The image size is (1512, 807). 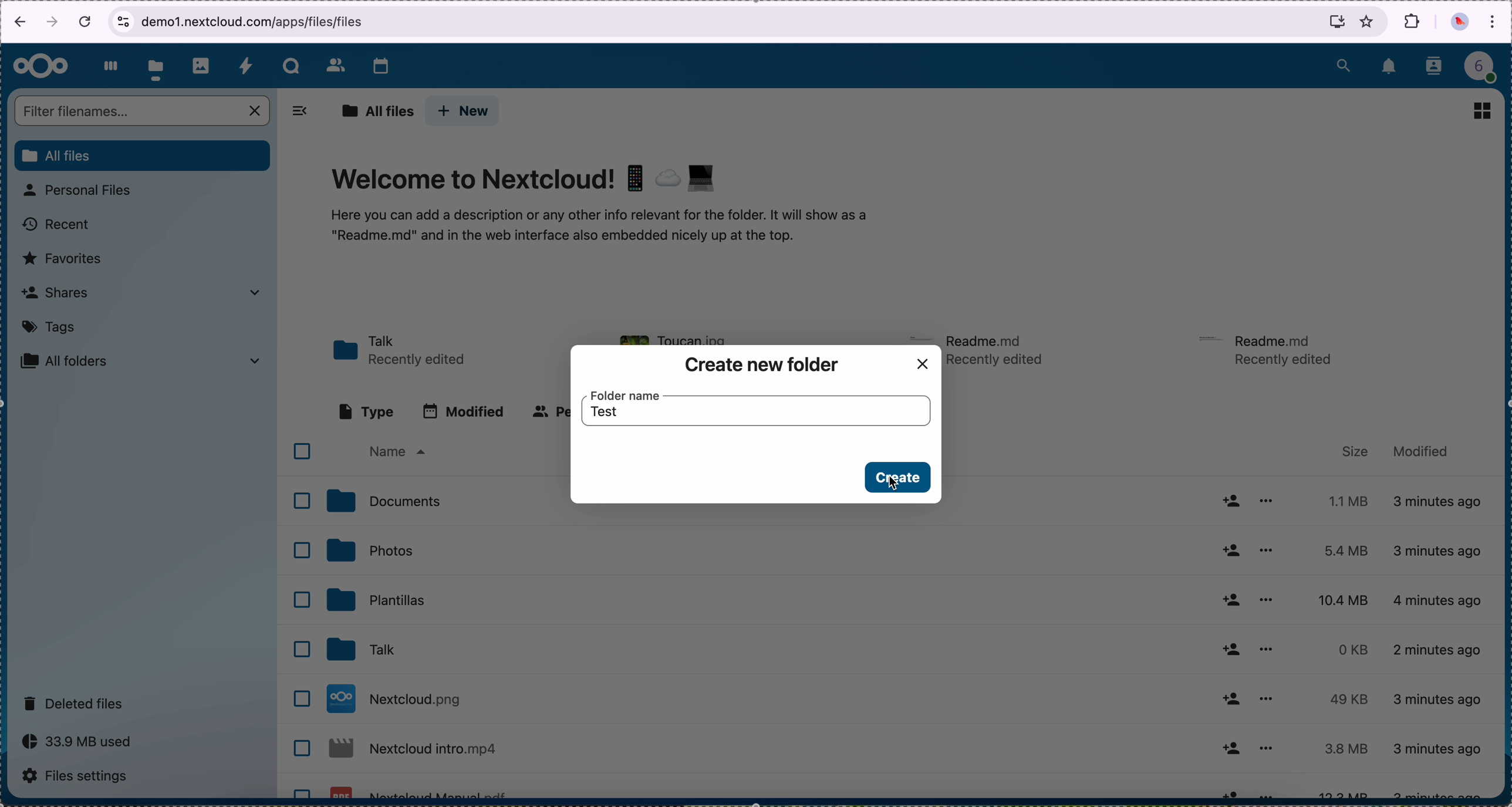 What do you see at coordinates (1390, 67) in the screenshot?
I see `notifications` at bounding box center [1390, 67].